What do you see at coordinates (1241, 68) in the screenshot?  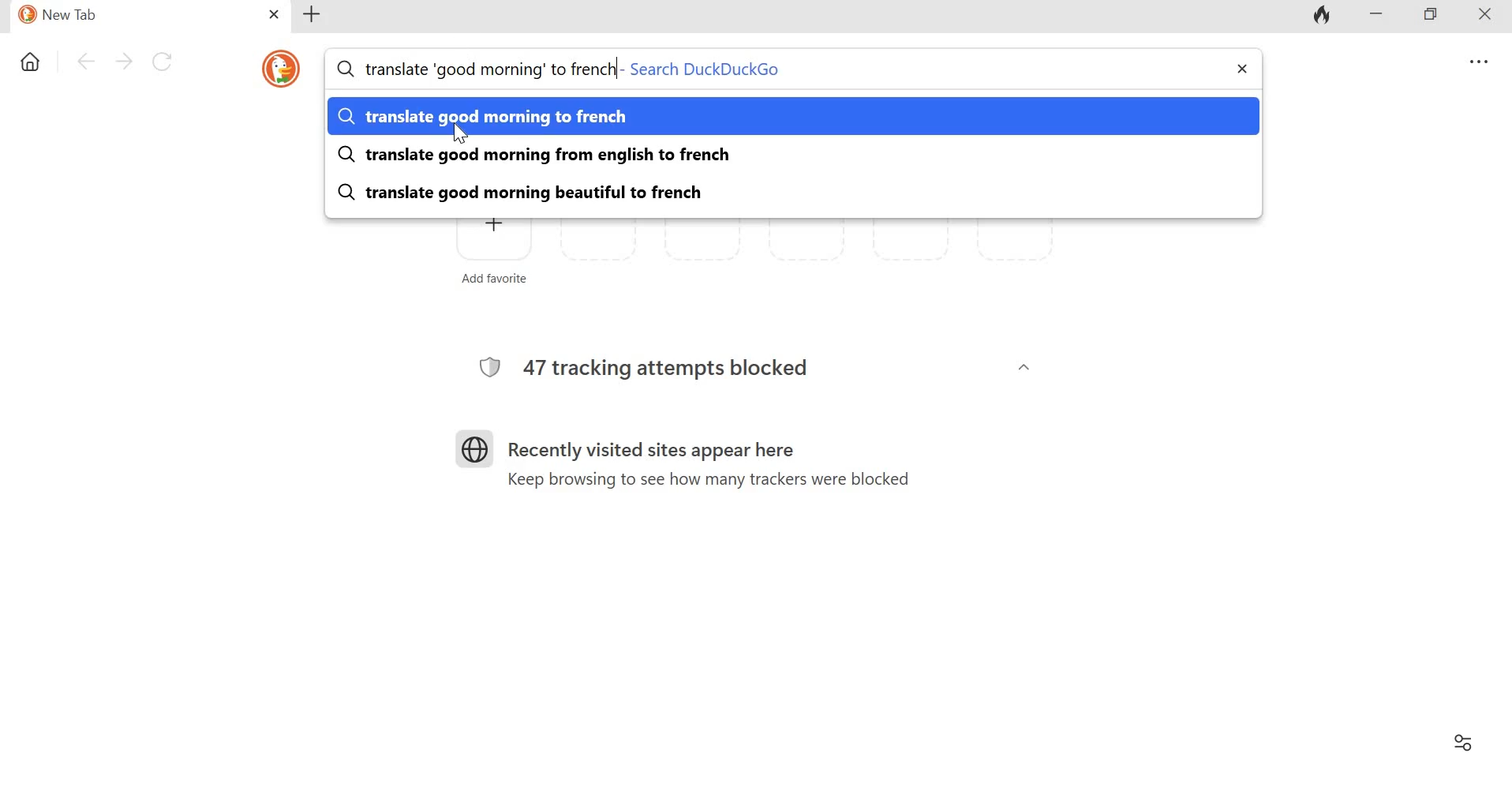 I see `close` at bounding box center [1241, 68].